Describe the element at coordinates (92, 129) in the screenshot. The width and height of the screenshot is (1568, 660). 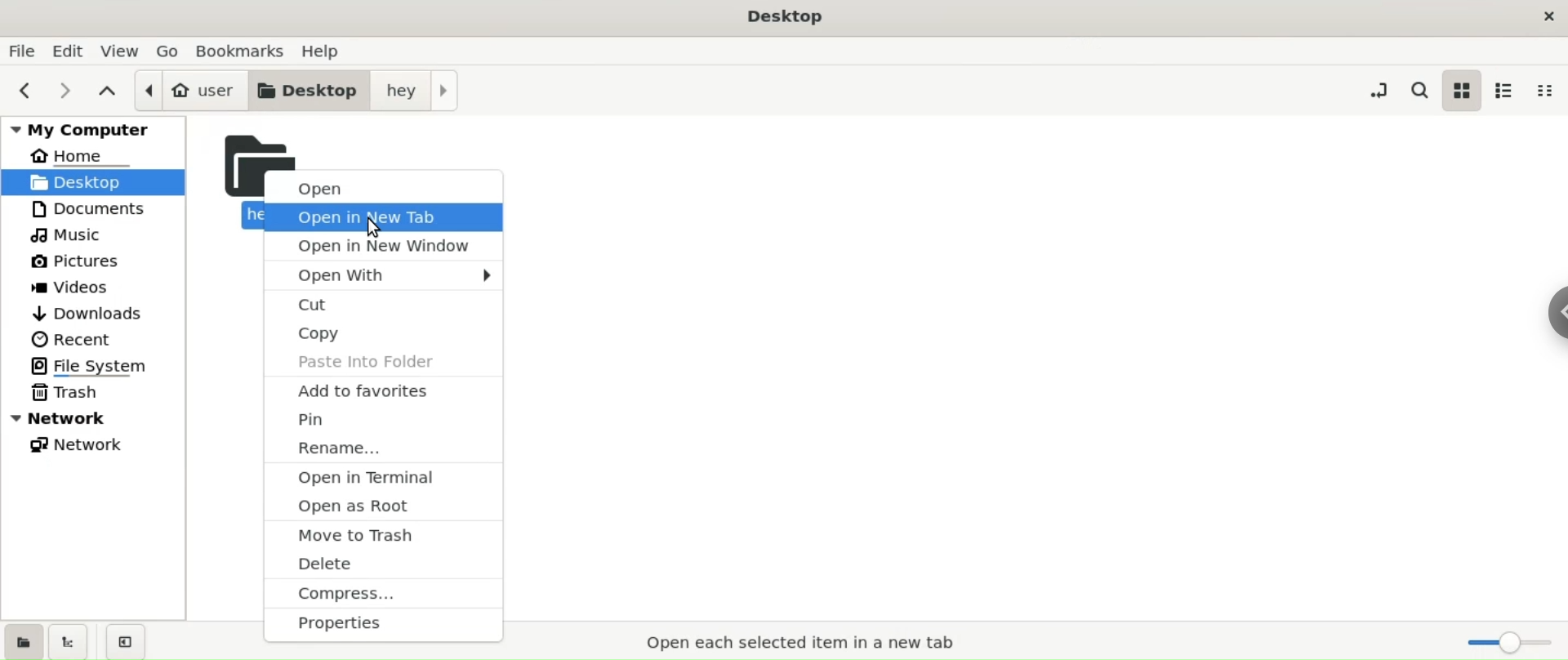
I see `my computer` at that location.